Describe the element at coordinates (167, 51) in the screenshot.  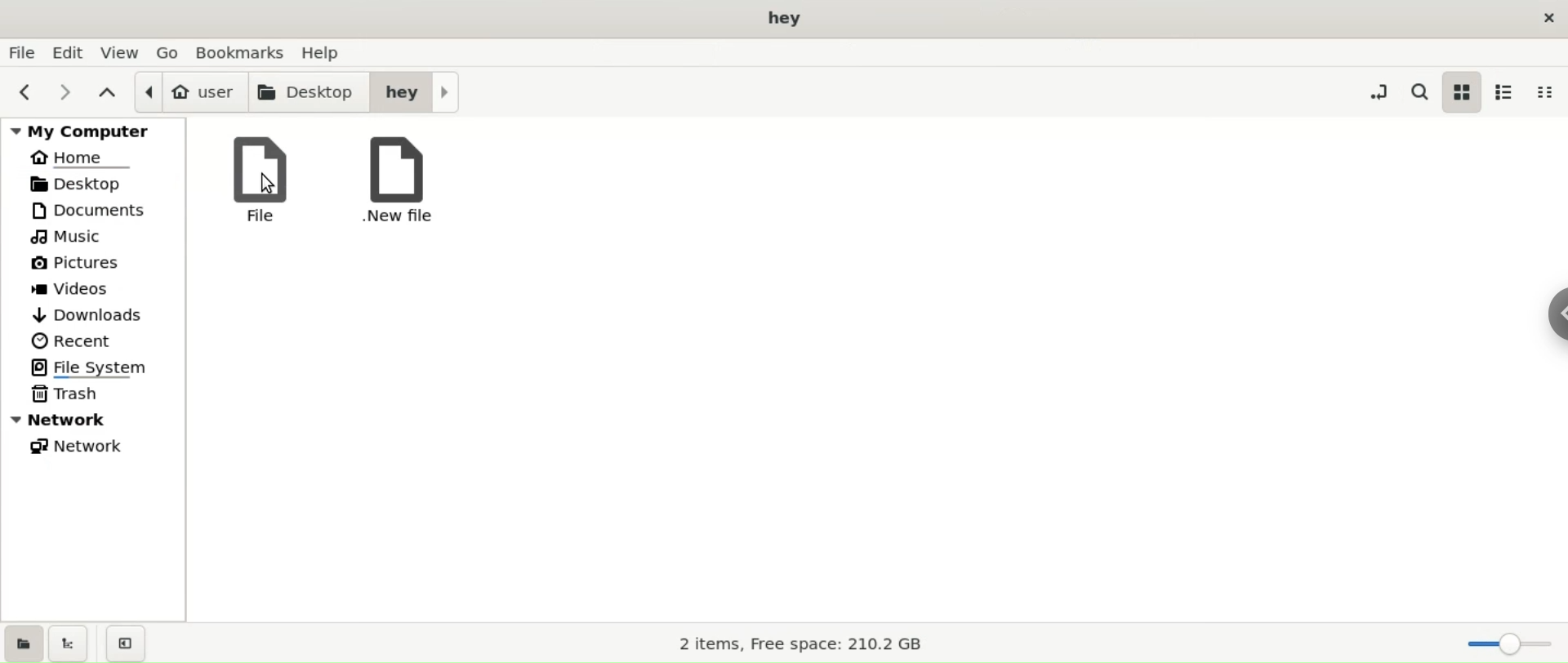
I see `go` at that location.